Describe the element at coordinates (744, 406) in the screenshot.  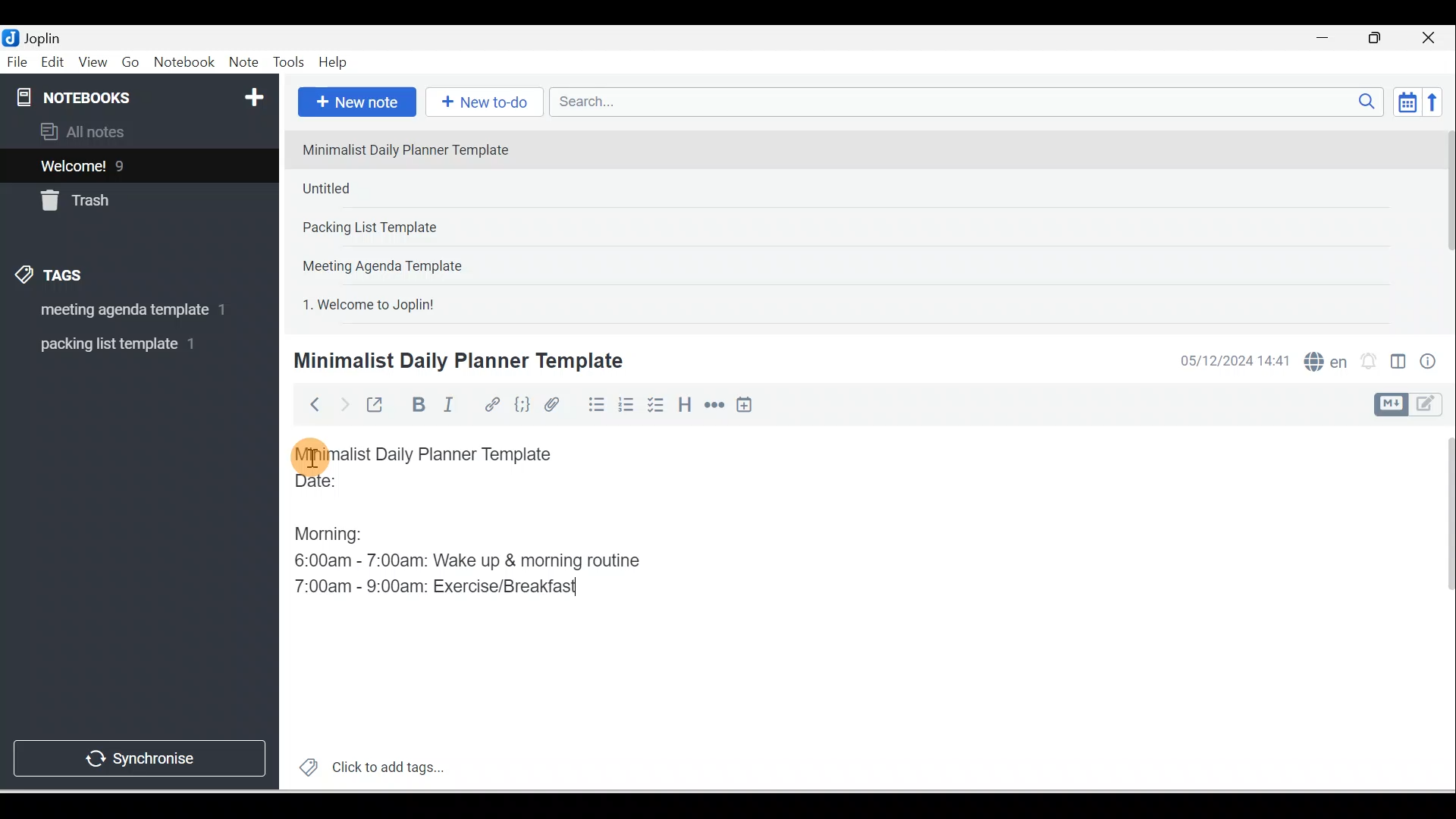
I see `Insert time` at that location.